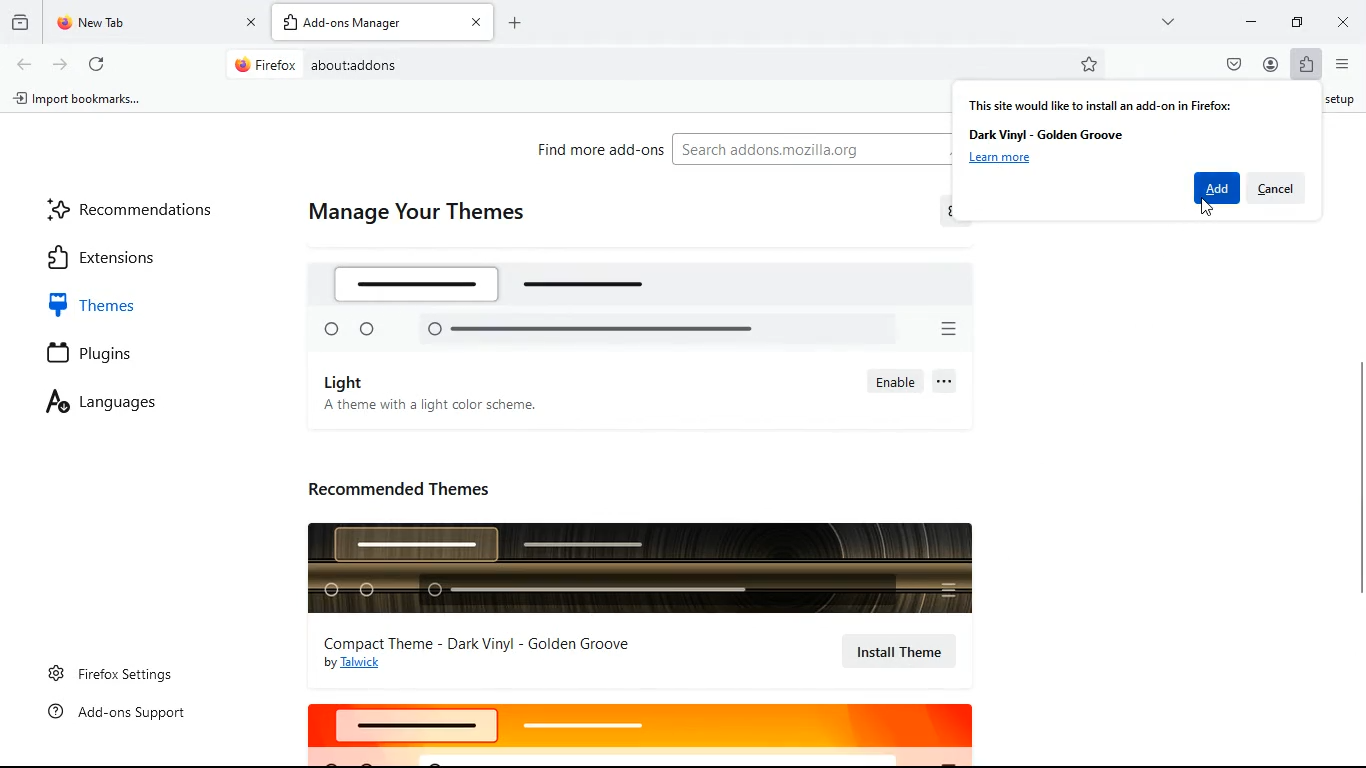 This screenshot has height=768, width=1366. Describe the element at coordinates (636, 566) in the screenshot. I see `logo` at that location.